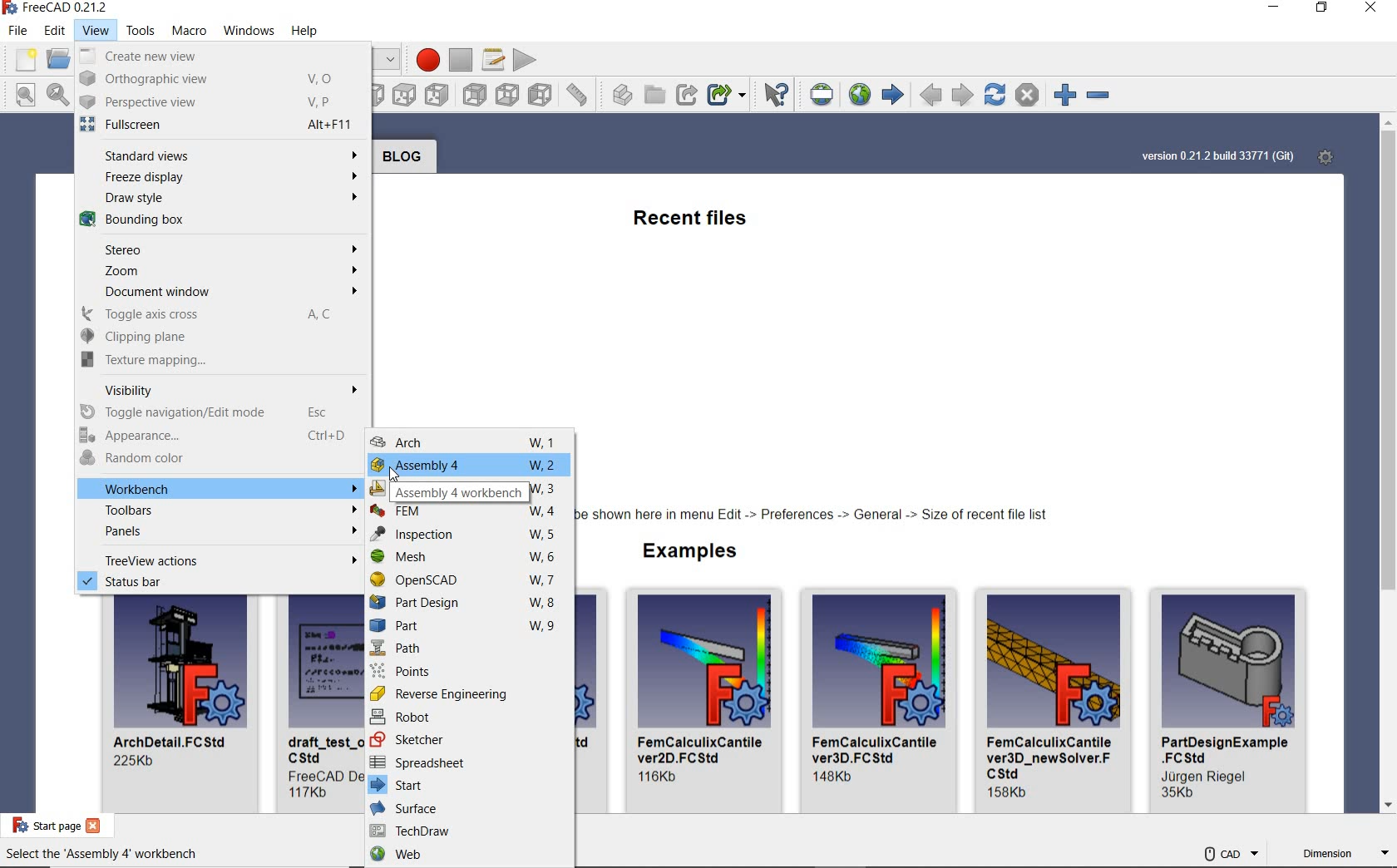 This screenshot has width=1397, height=868. What do you see at coordinates (220, 485) in the screenshot?
I see `workbench` at bounding box center [220, 485].